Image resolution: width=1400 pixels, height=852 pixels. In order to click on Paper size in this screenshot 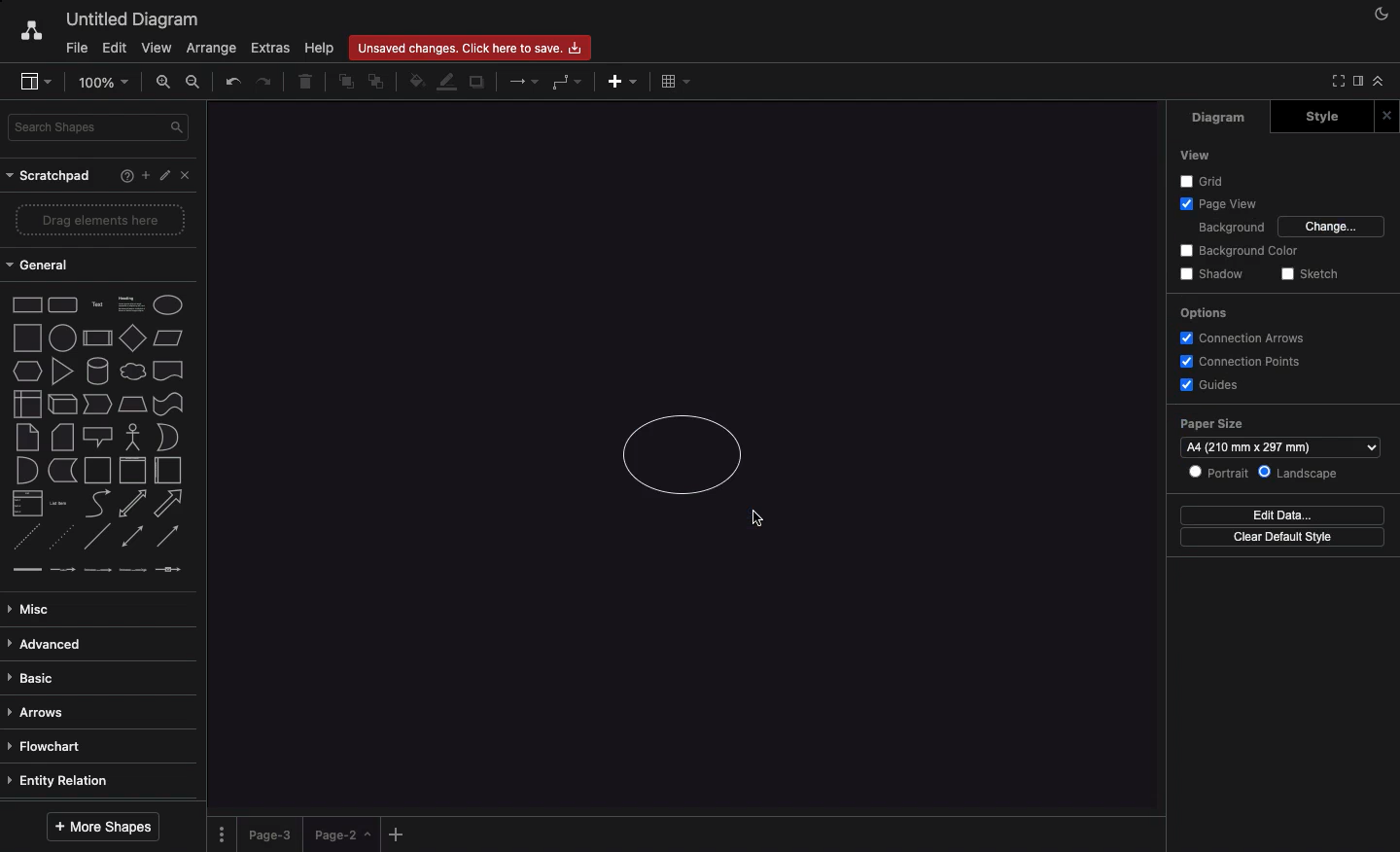, I will do `click(1216, 422)`.